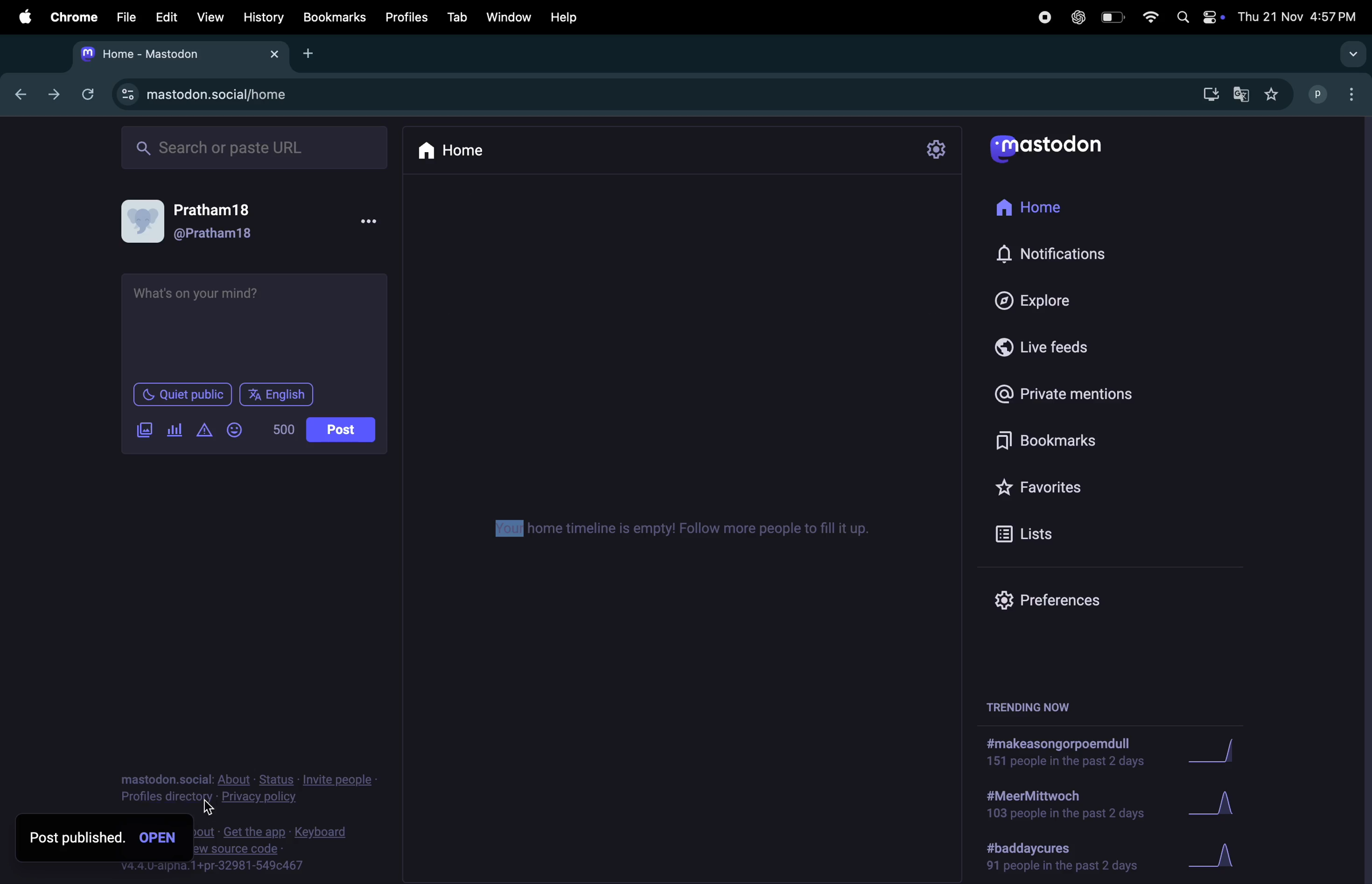 This screenshot has height=884, width=1372. What do you see at coordinates (934, 151) in the screenshot?
I see `setting` at bounding box center [934, 151].